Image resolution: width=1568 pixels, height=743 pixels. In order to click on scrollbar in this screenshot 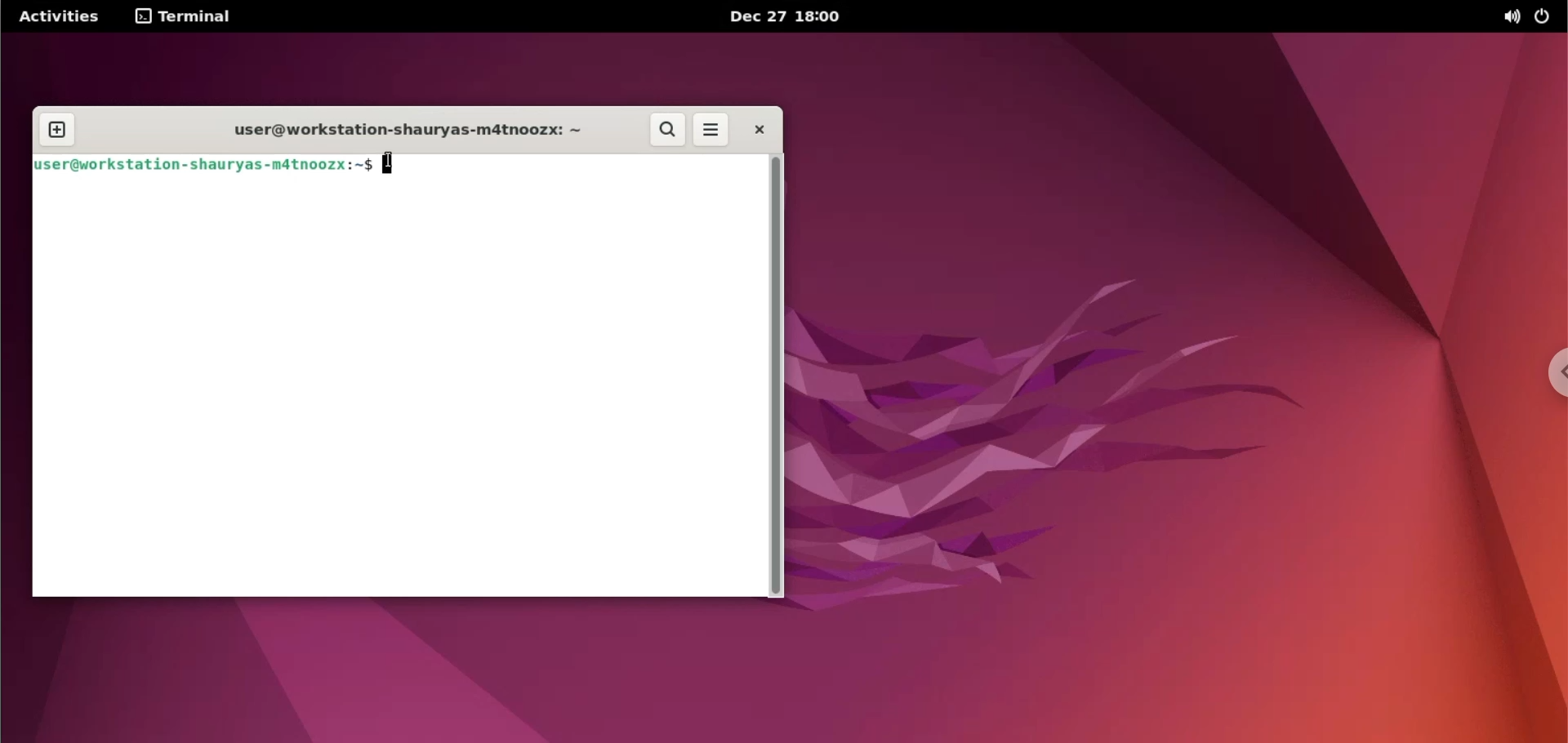, I will do `click(776, 372)`.